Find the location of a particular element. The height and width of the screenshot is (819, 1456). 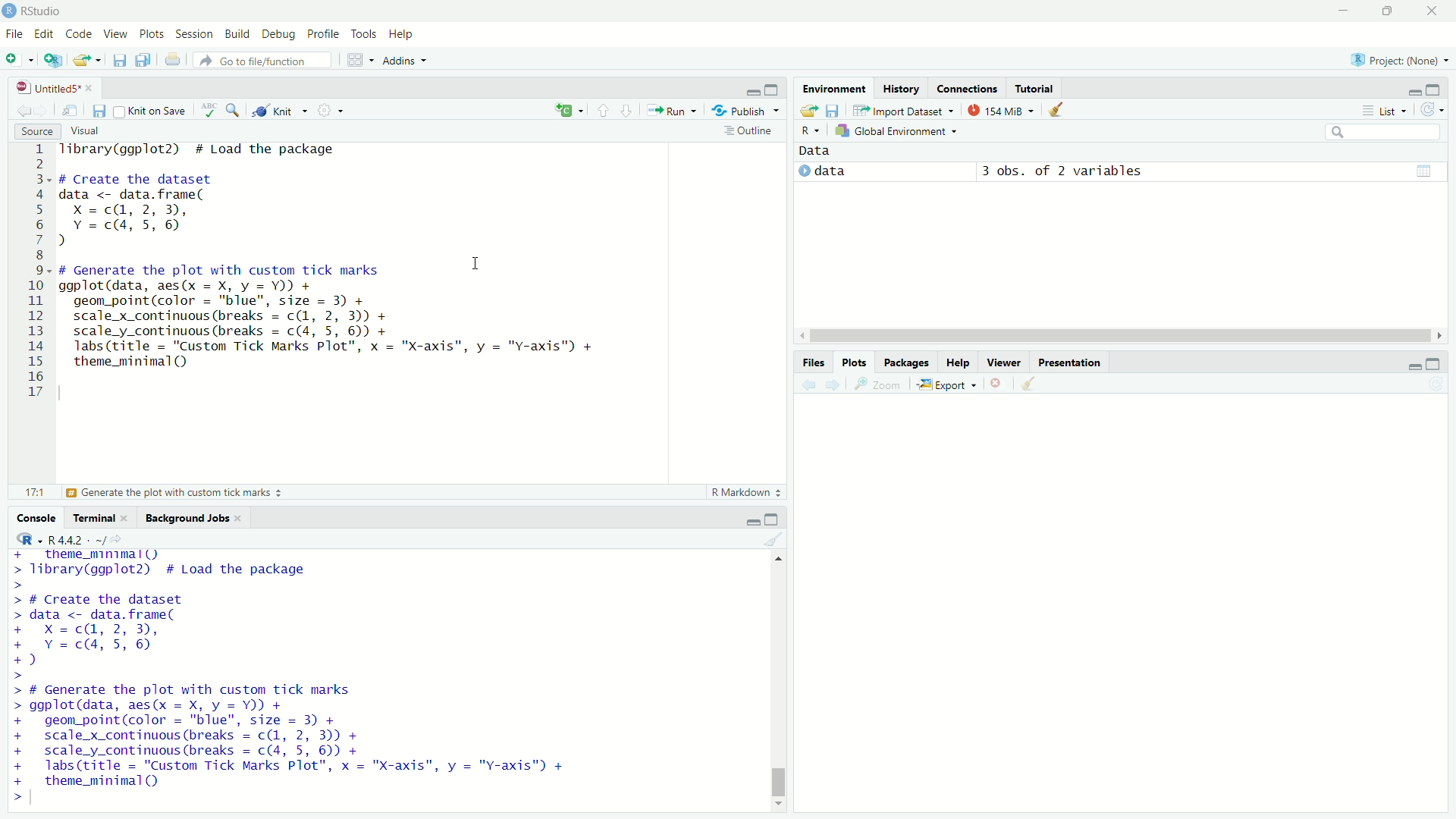

move right is located at coordinates (1442, 334).